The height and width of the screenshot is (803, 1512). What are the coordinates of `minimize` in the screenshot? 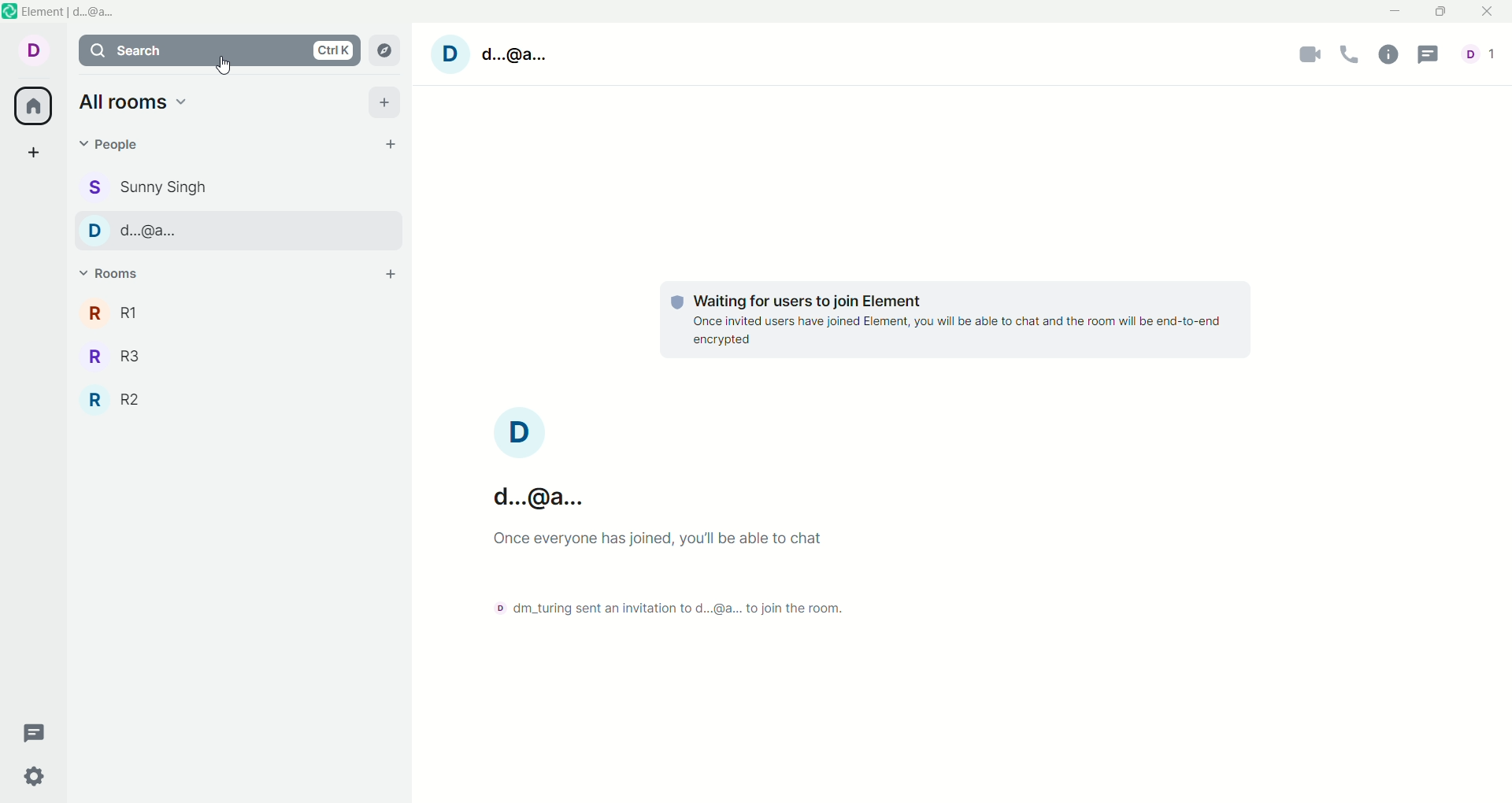 It's located at (1398, 9).